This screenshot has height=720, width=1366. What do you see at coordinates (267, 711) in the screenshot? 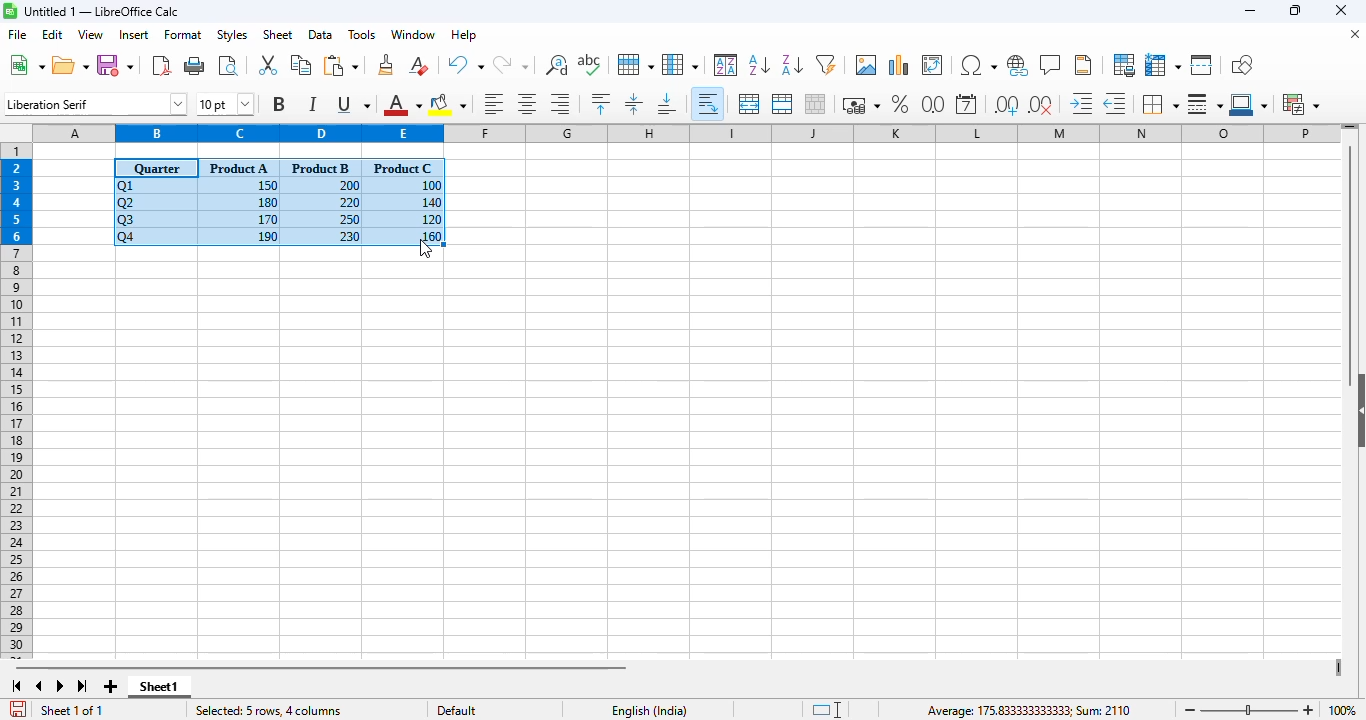
I see `selected: 5 rows, 4 columns` at bounding box center [267, 711].